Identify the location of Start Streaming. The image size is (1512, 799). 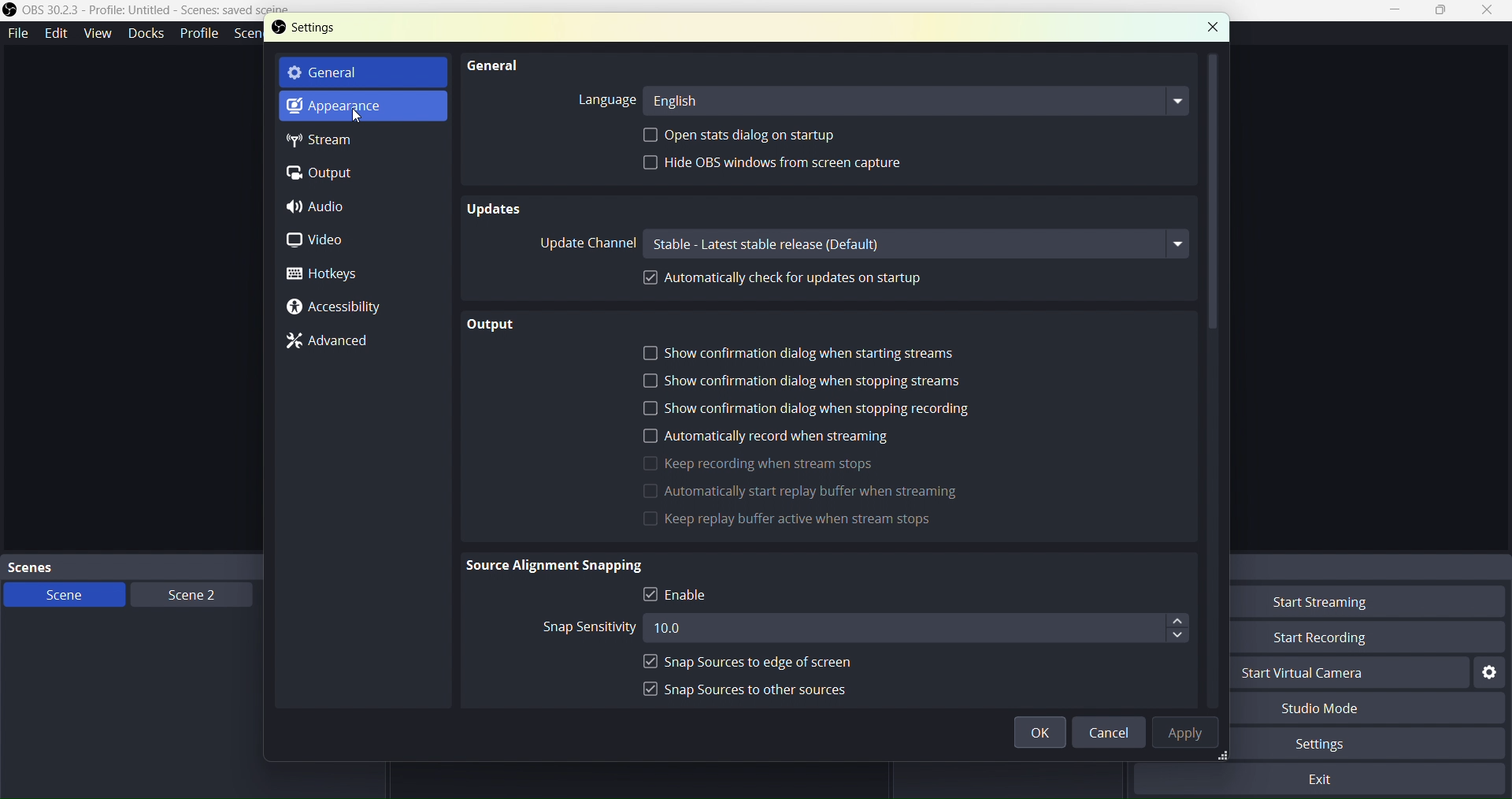
(1349, 604).